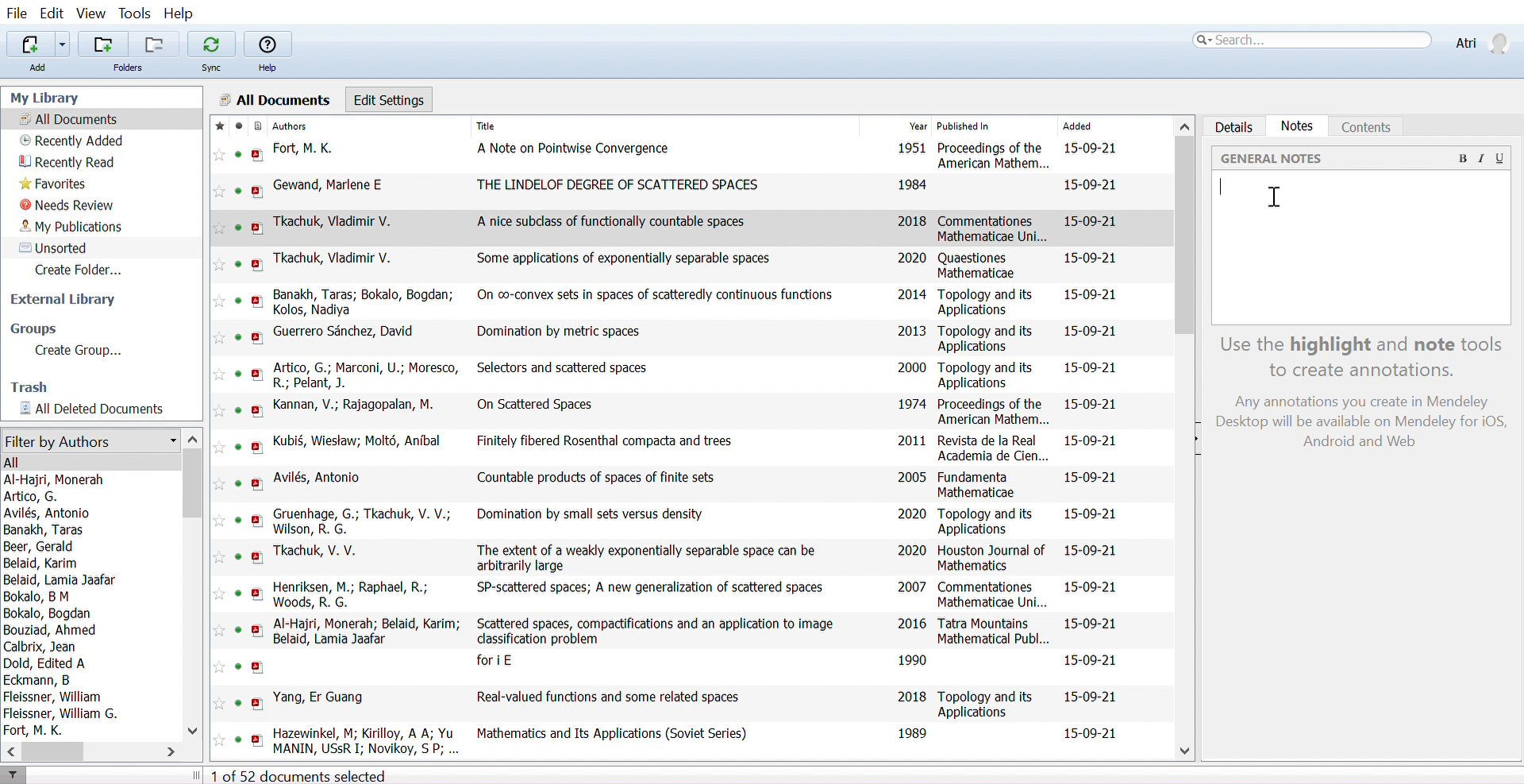 The width and height of the screenshot is (1524, 784). Describe the element at coordinates (995, 631) in the screenshot. I see `Tatra Mountains Mathematical Publ...` at that location.